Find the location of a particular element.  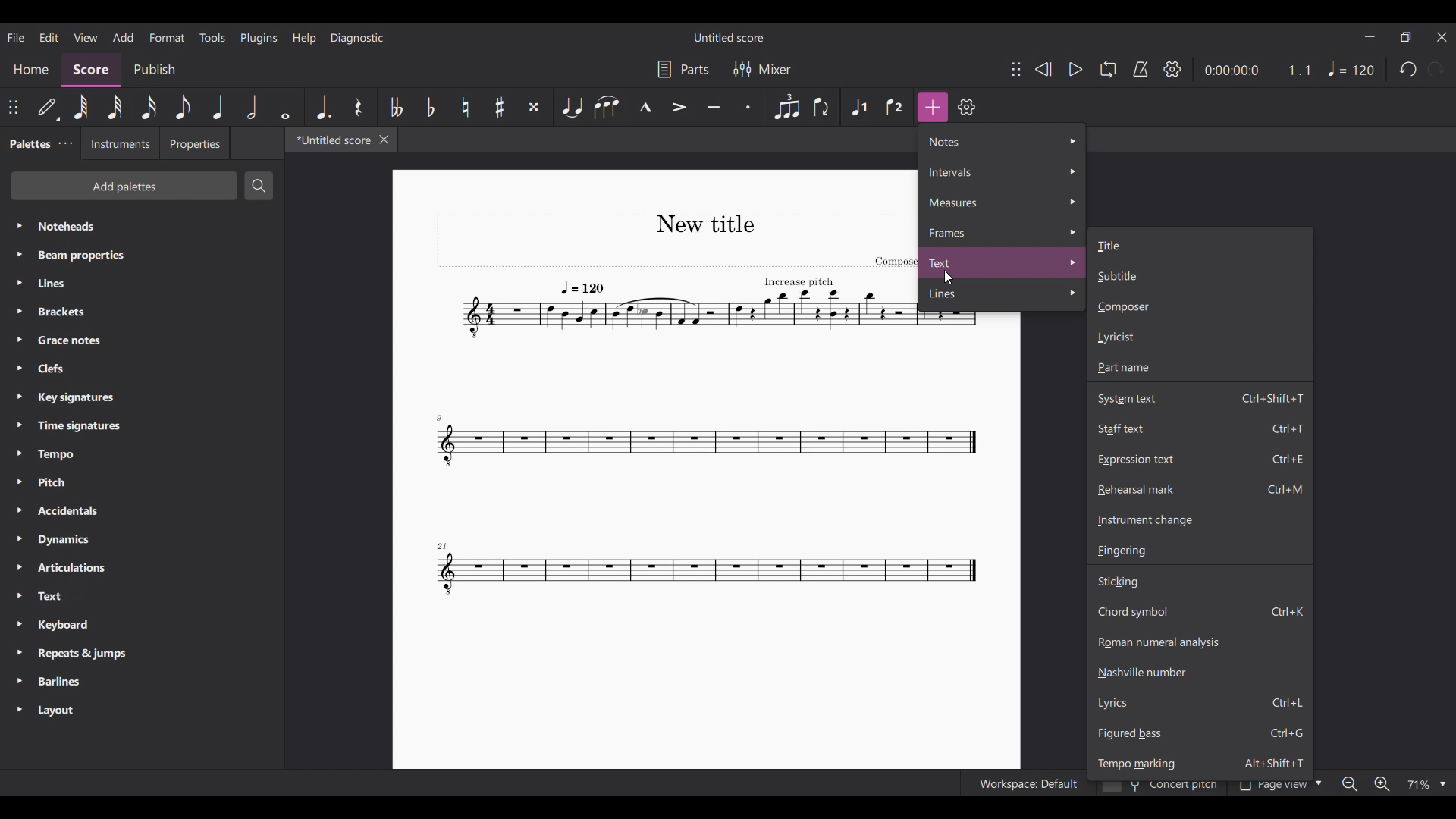

Tempo is located at coordinates (1351, 68).